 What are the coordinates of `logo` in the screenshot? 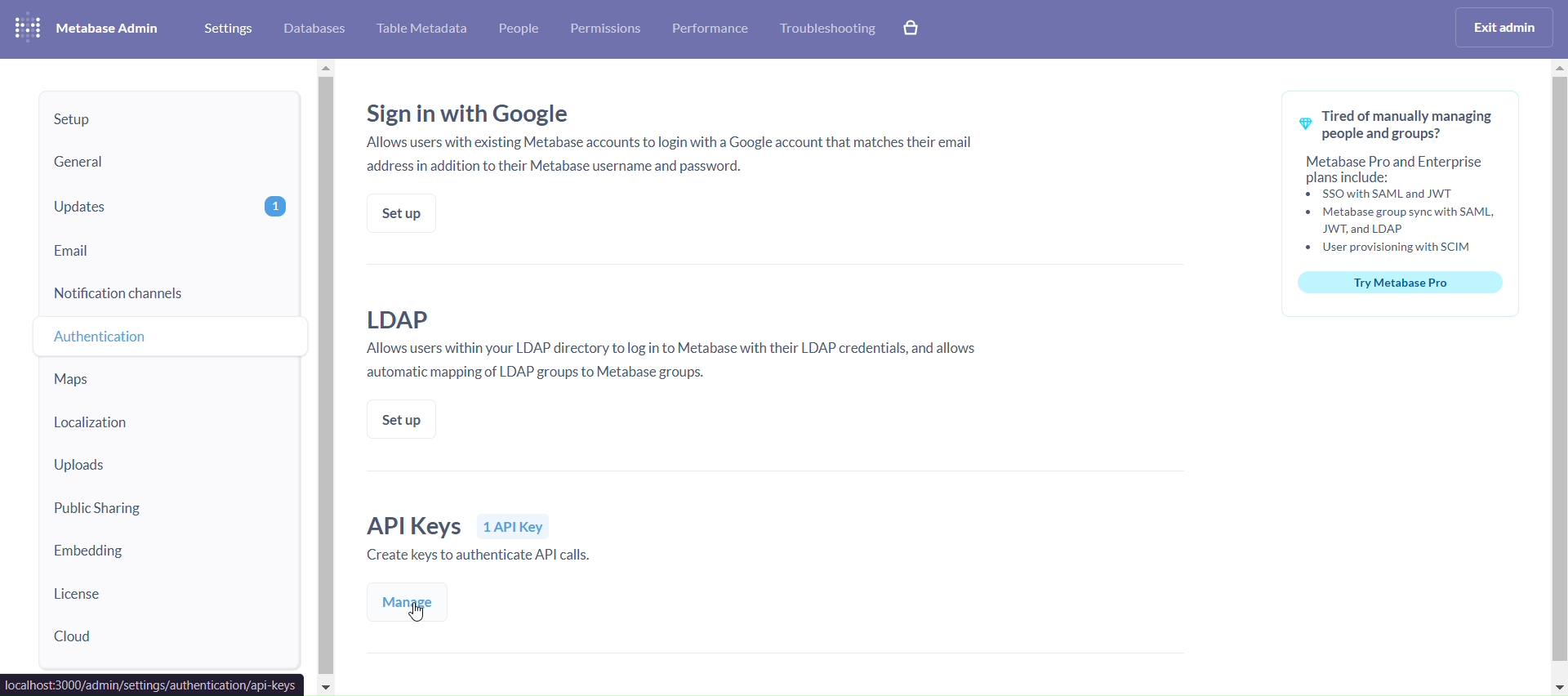 It's located at (25, 28).